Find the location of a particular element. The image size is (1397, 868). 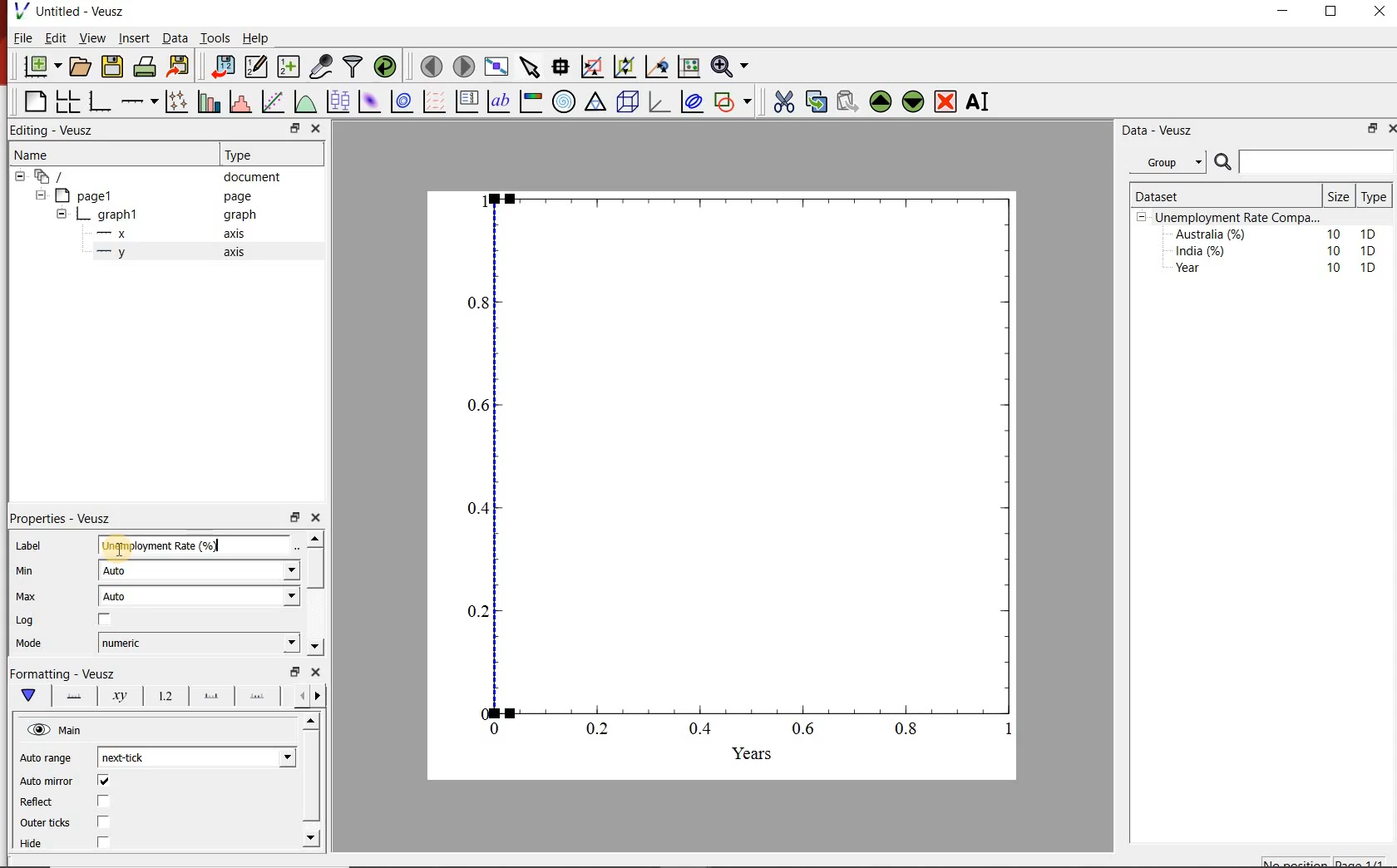

graph1
pl graph is located at coordinates (172, 215).